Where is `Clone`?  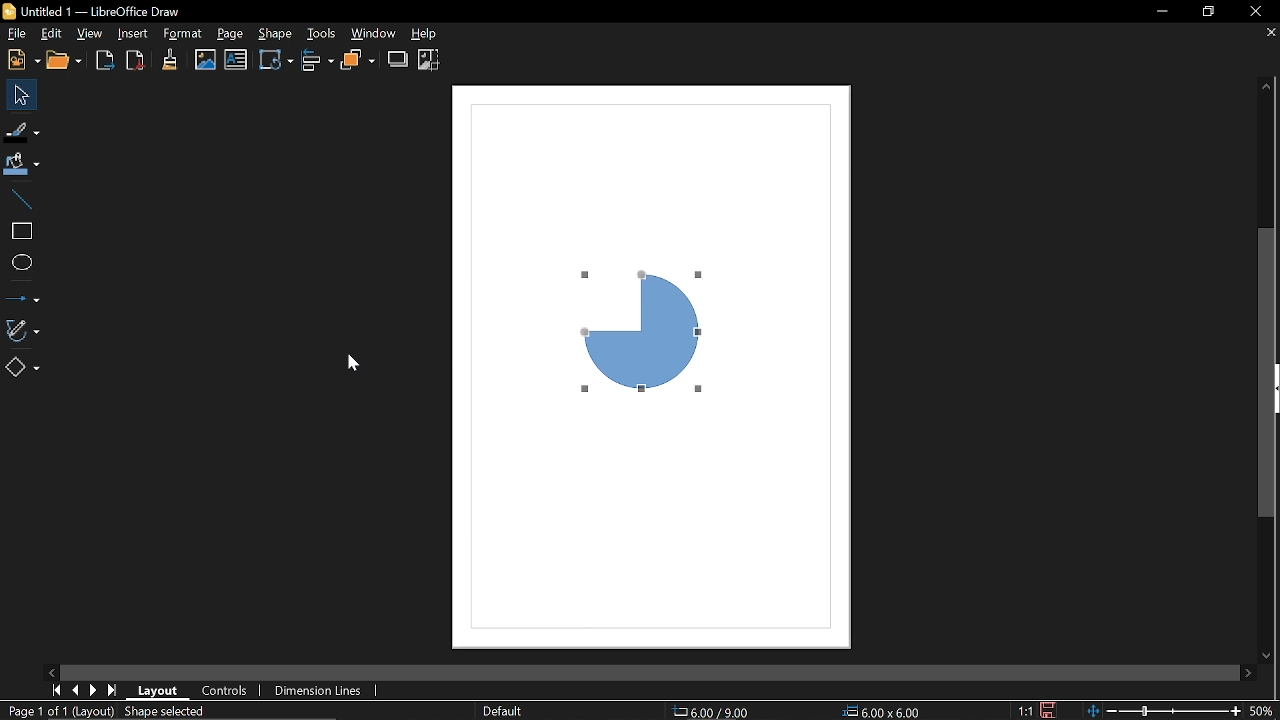
Clone is located at coordinates (167, 61).